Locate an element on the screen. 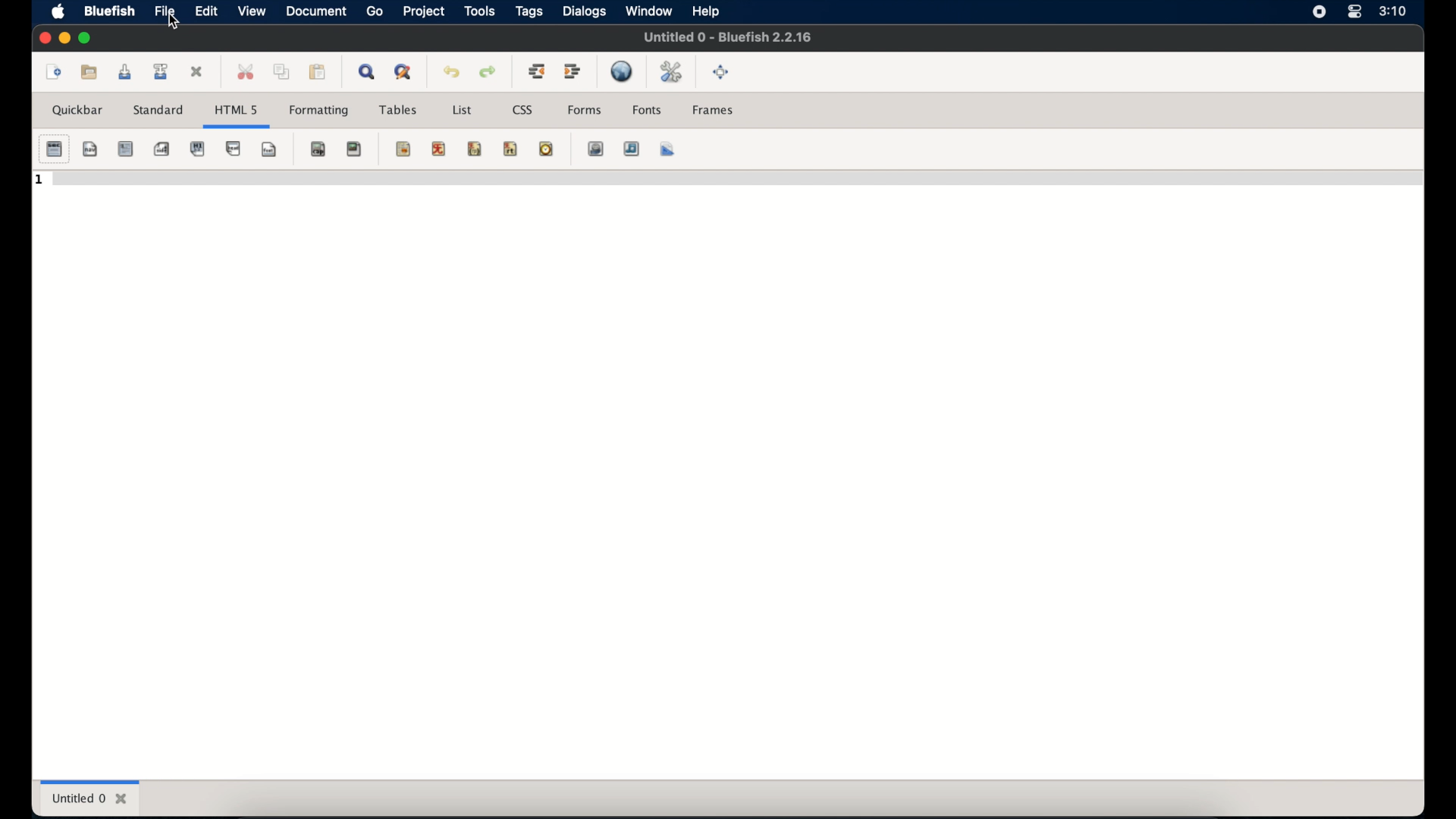  center is located at coordinates (425, 149).